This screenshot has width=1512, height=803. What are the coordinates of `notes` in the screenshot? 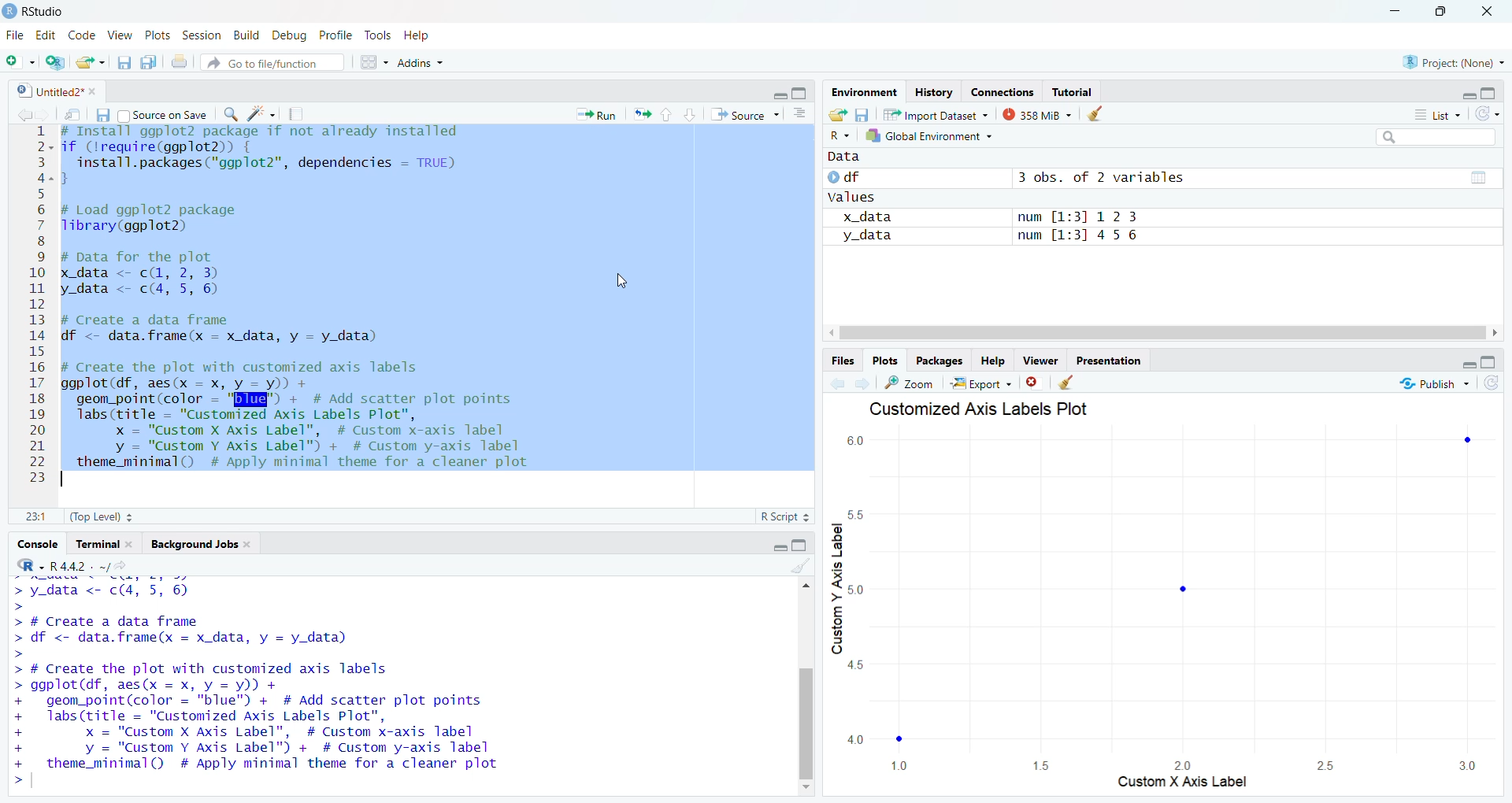 It's located at (299, 114).